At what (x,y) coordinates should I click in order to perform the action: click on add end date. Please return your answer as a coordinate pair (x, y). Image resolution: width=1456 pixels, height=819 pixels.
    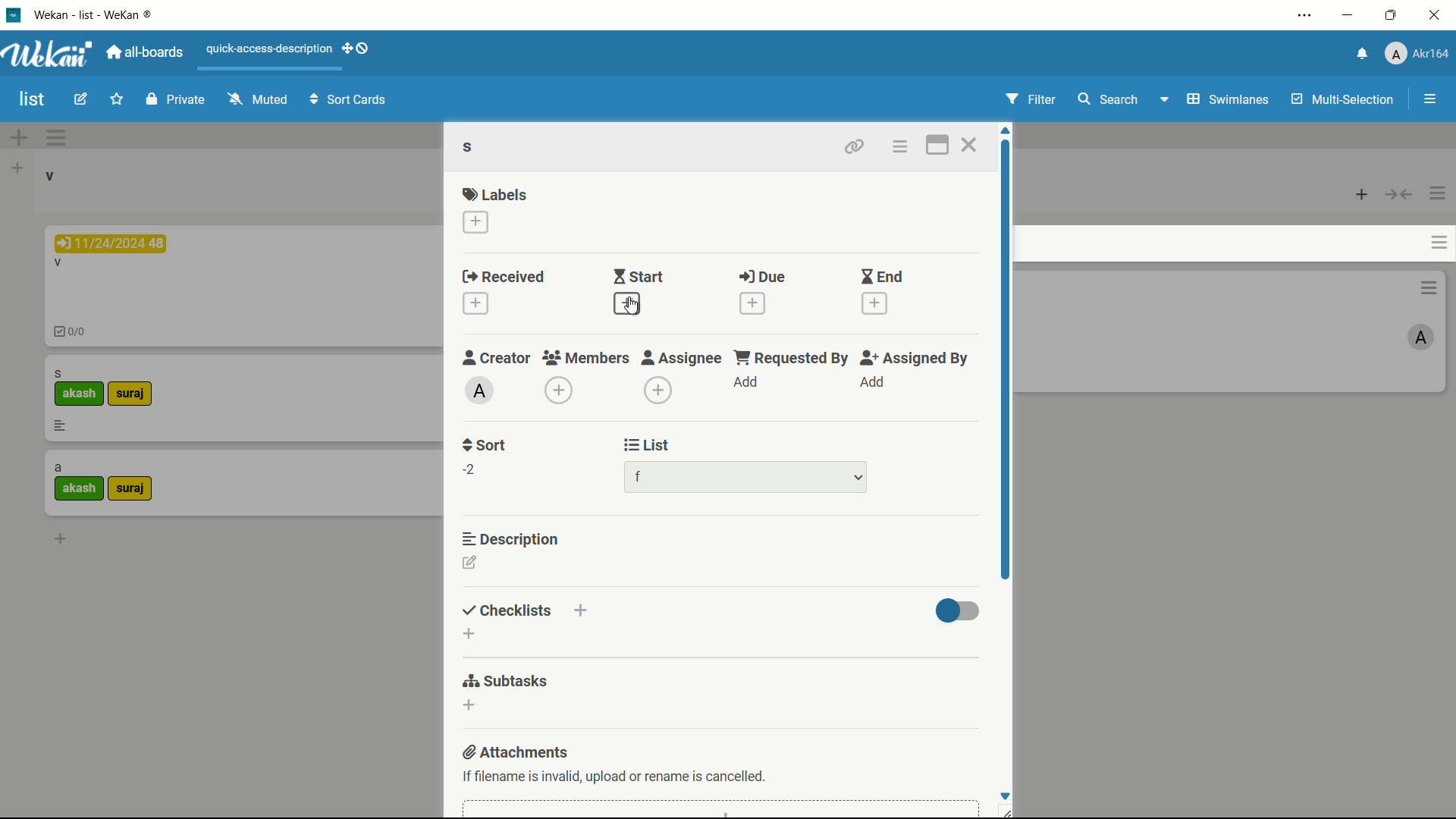
    Looking at the image, I should click on (876, 305).